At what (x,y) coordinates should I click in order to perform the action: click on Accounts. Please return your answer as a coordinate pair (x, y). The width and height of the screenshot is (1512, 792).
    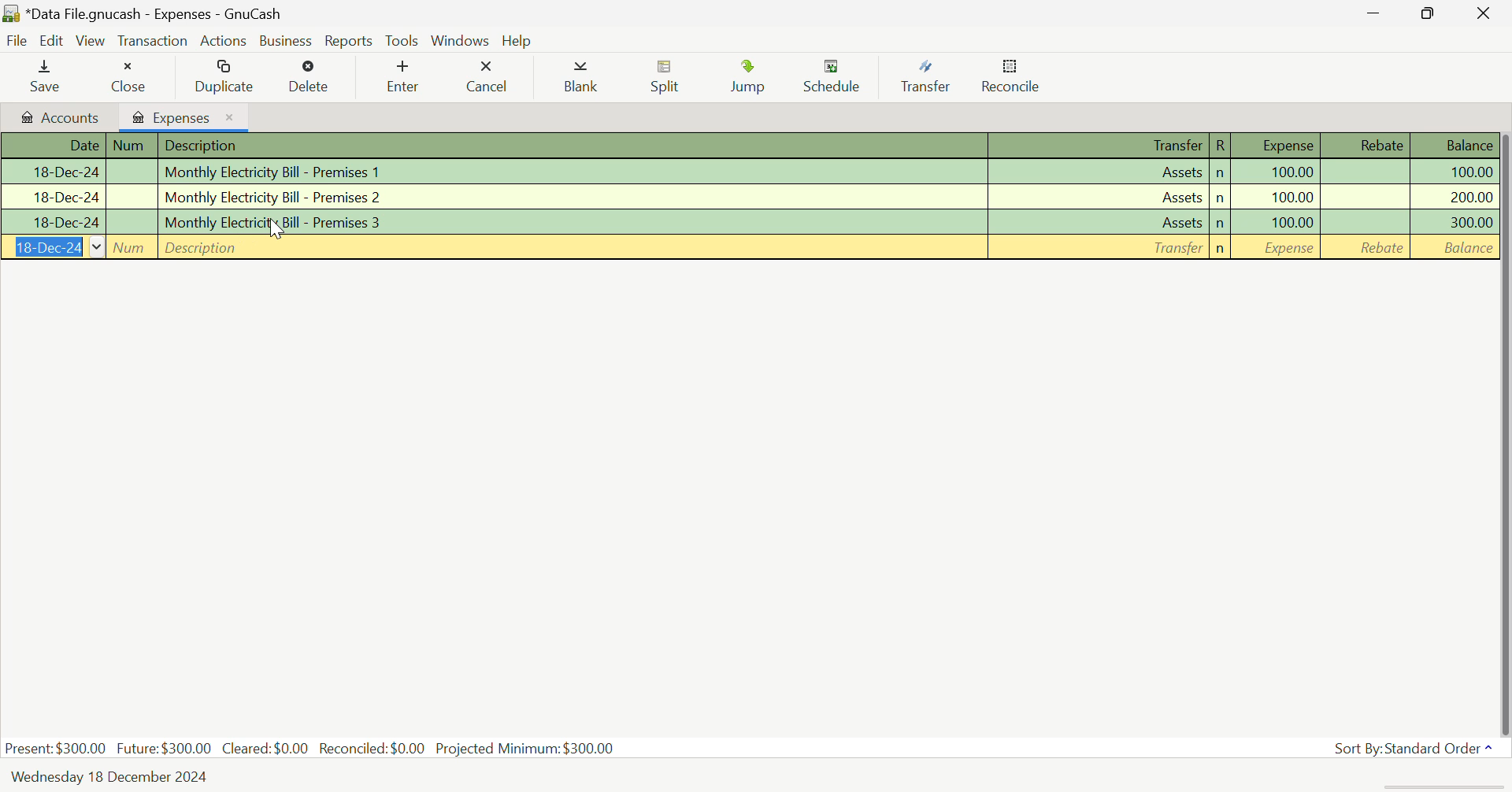
    Looking at the image, I should click on (57, 117).